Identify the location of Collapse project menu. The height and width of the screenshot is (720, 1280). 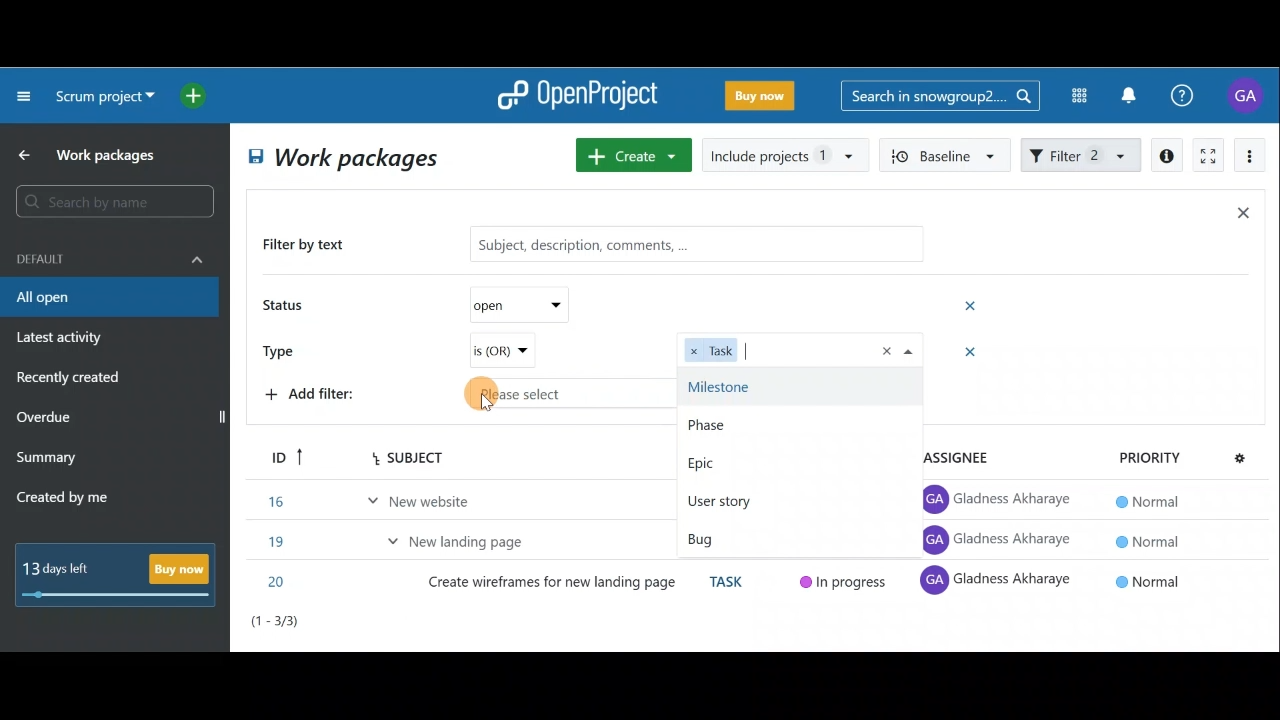
(25, 95).